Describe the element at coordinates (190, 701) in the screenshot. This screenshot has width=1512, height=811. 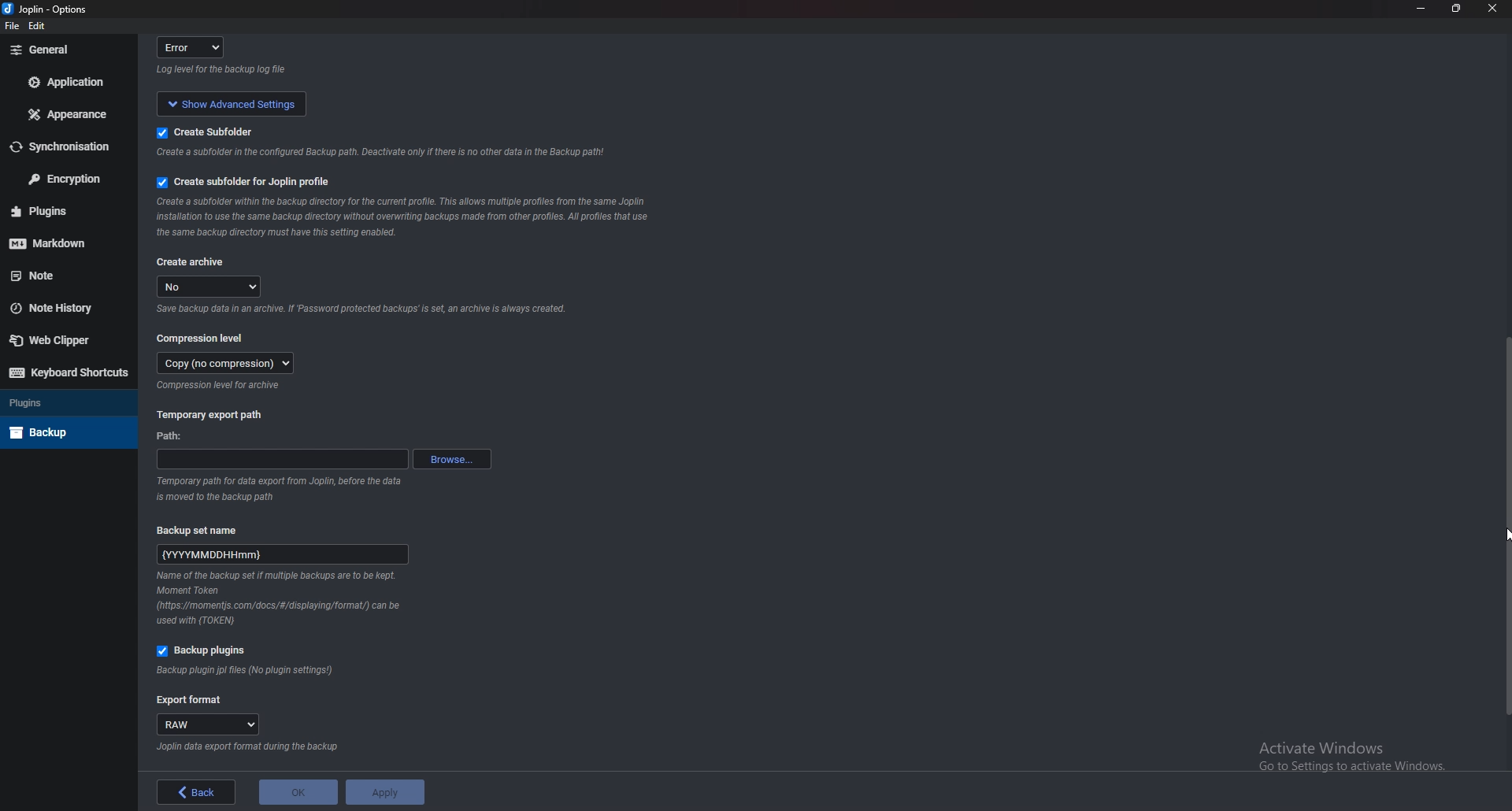
I see `Export format` at that location.